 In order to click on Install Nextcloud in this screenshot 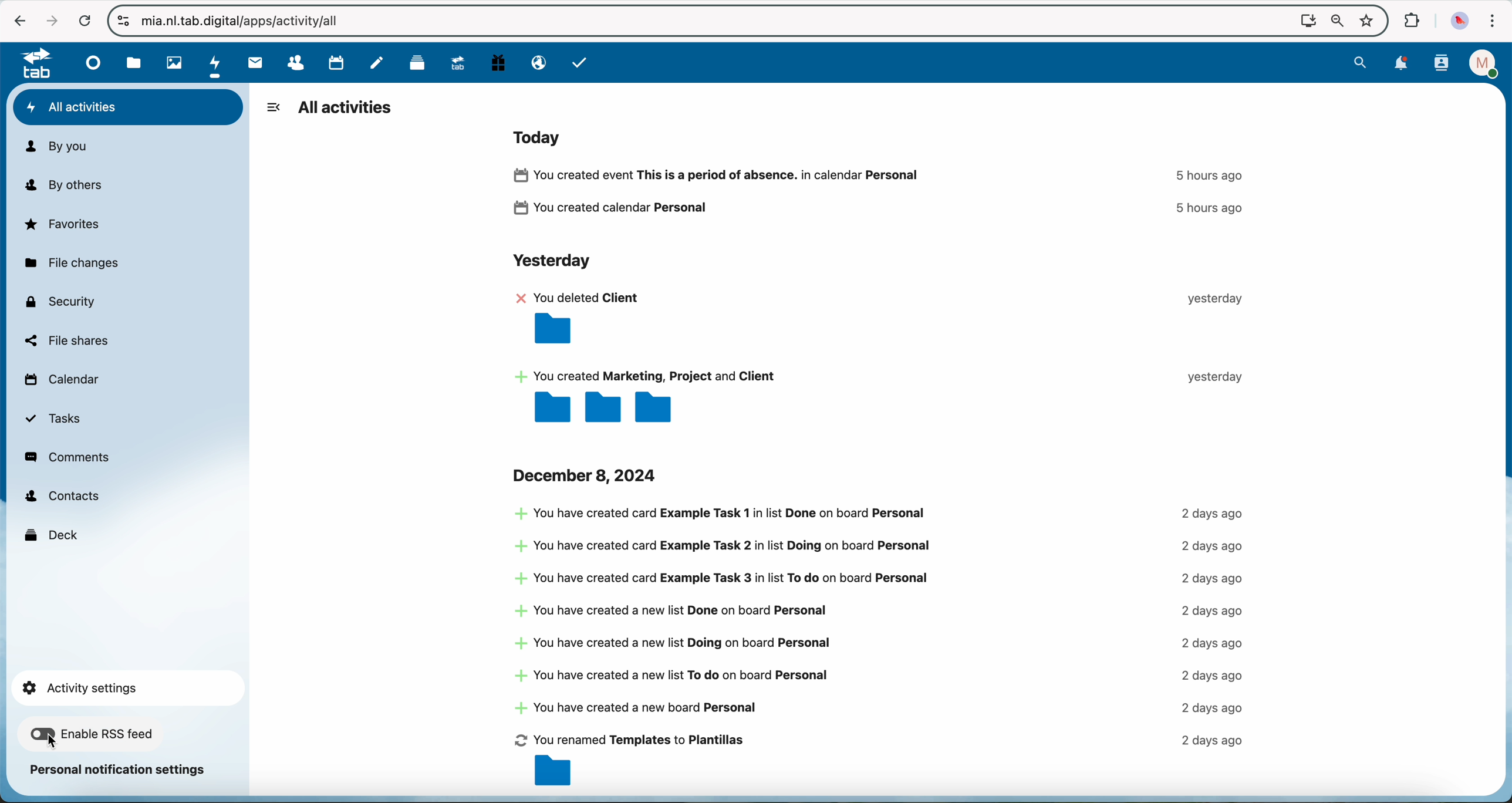, I will do `click(1306, 22)`.